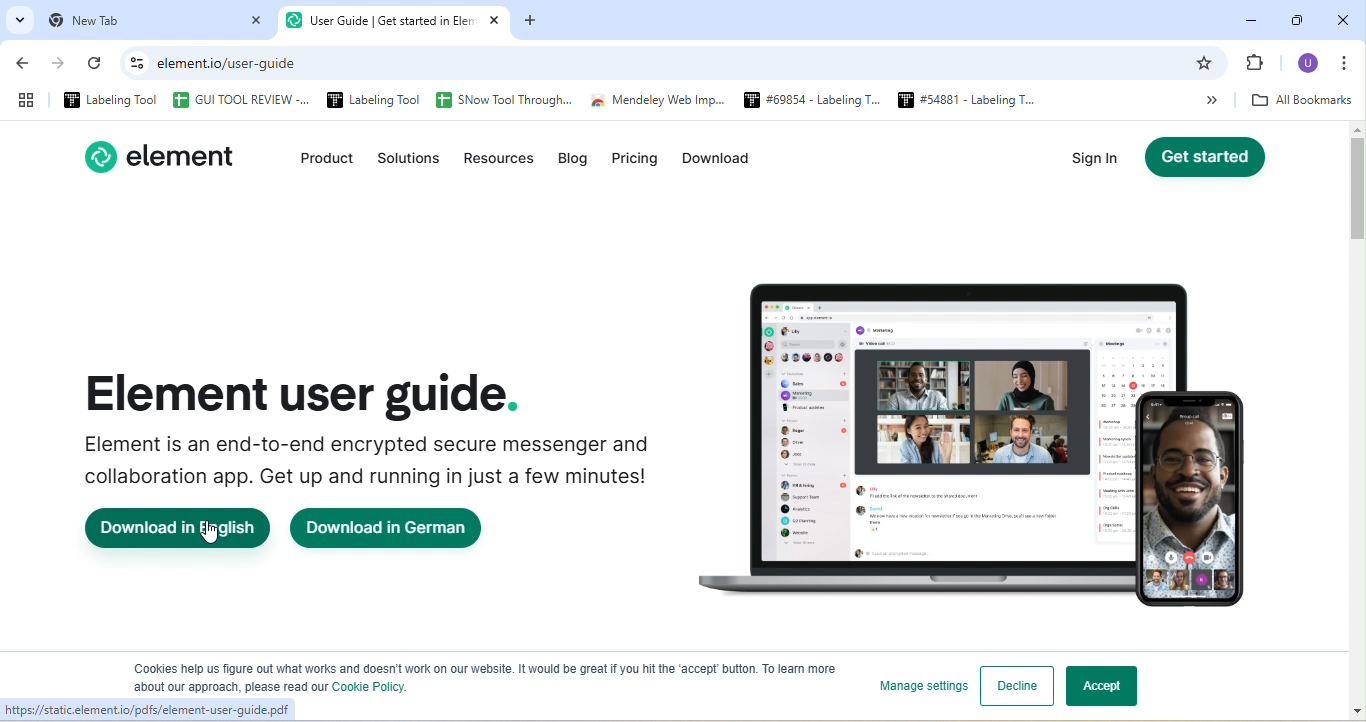 The height and width of the screenshot is (722, 1366). I want to click on SNow Tool Through..., so click(504, 101).